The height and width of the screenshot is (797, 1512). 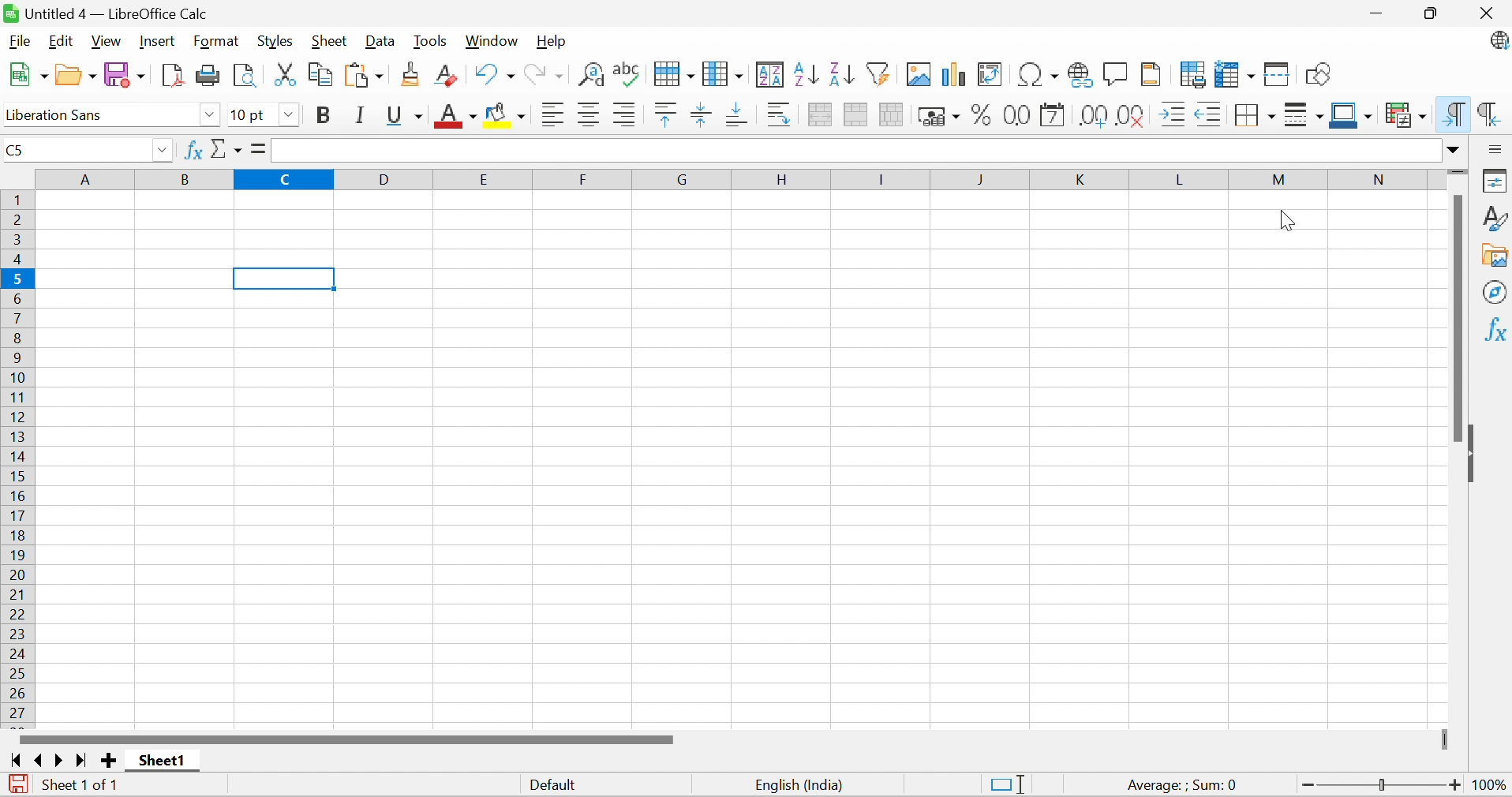 What do you see at coordinates (430, 42) in the screenshot?
I see `Tools` at bounding box center [430, 42].